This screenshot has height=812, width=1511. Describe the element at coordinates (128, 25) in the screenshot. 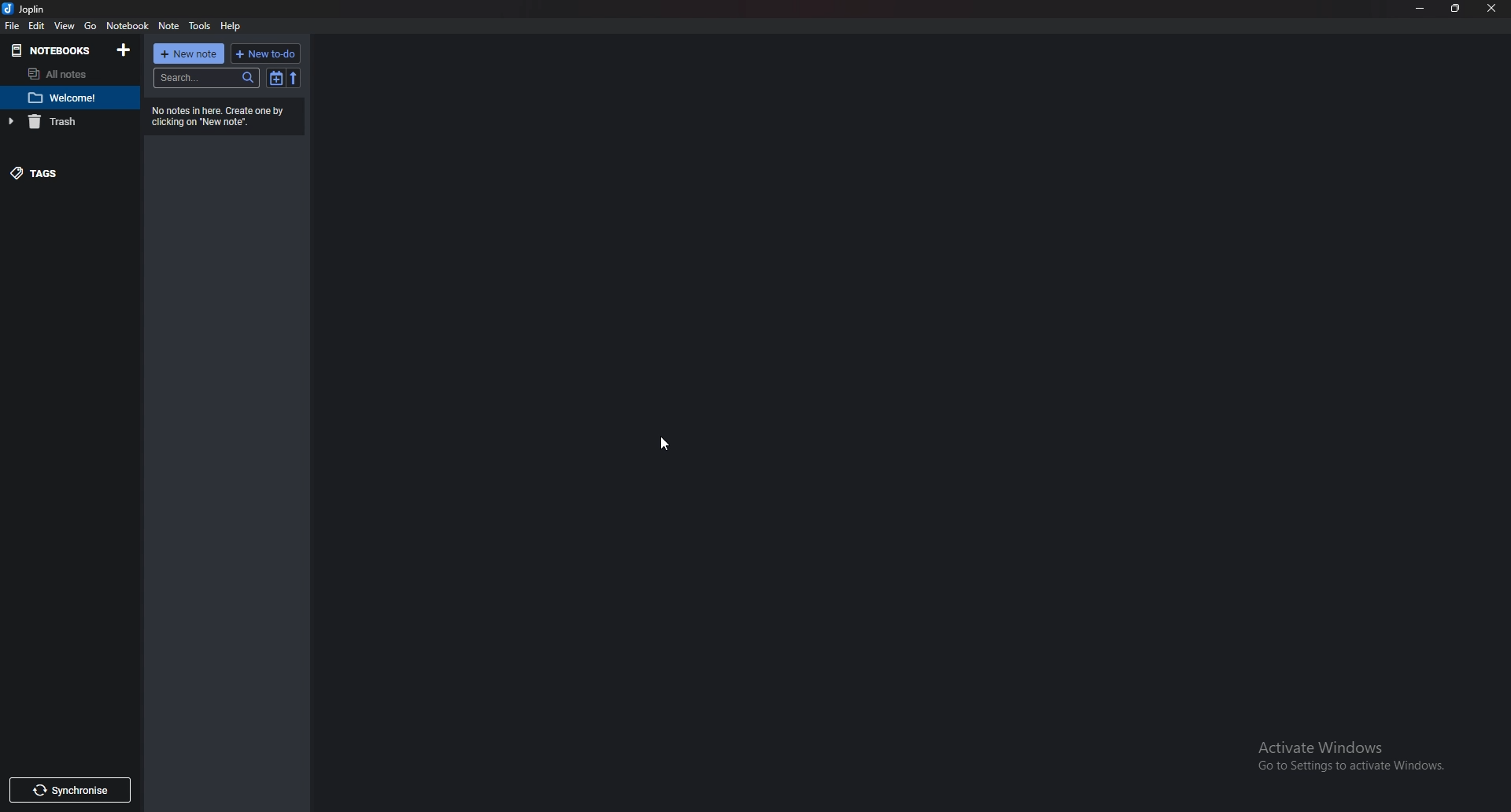

I see `Notebook` at that location.